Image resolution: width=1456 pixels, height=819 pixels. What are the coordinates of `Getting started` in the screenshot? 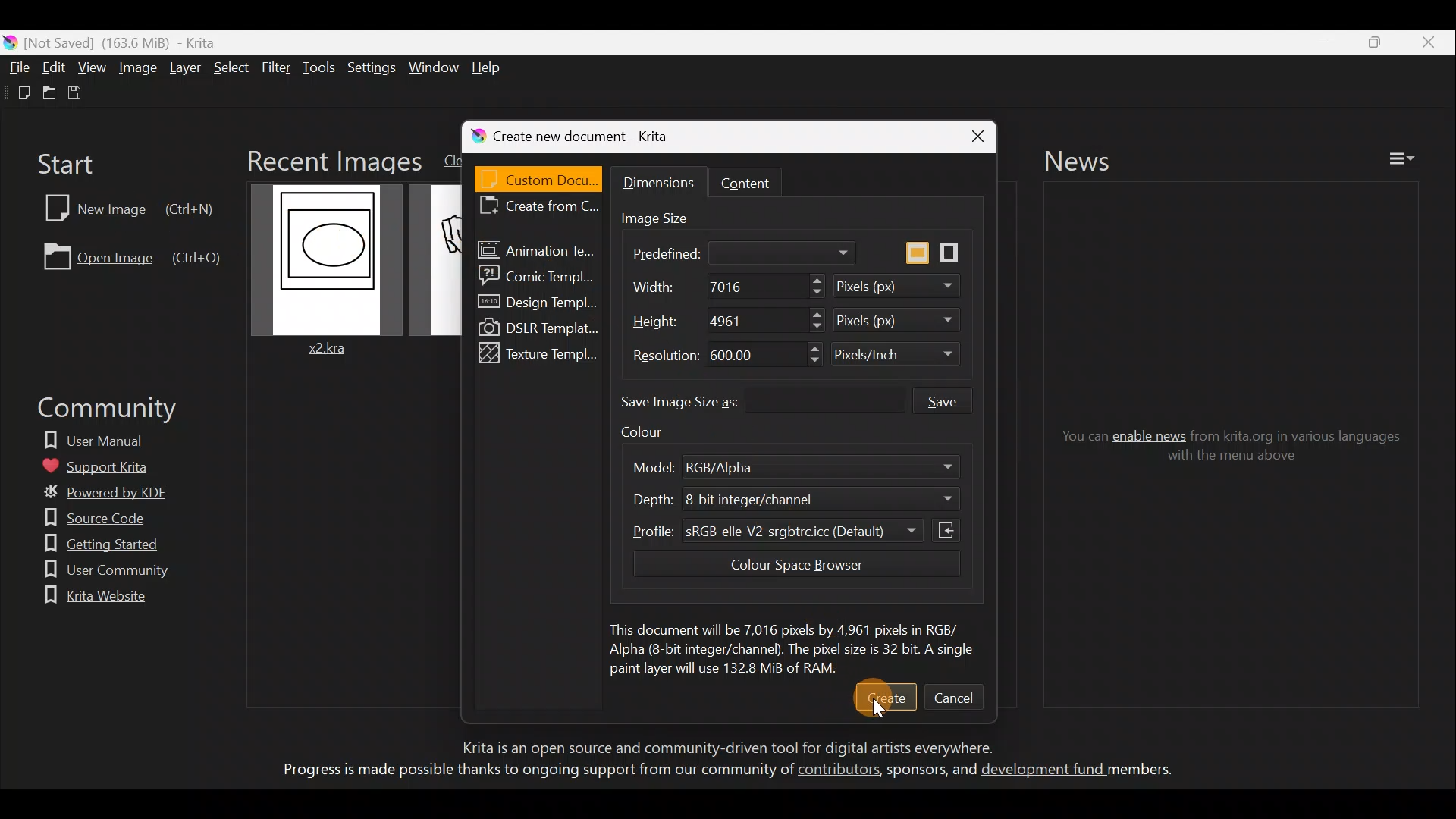 It's located at (91, 542).